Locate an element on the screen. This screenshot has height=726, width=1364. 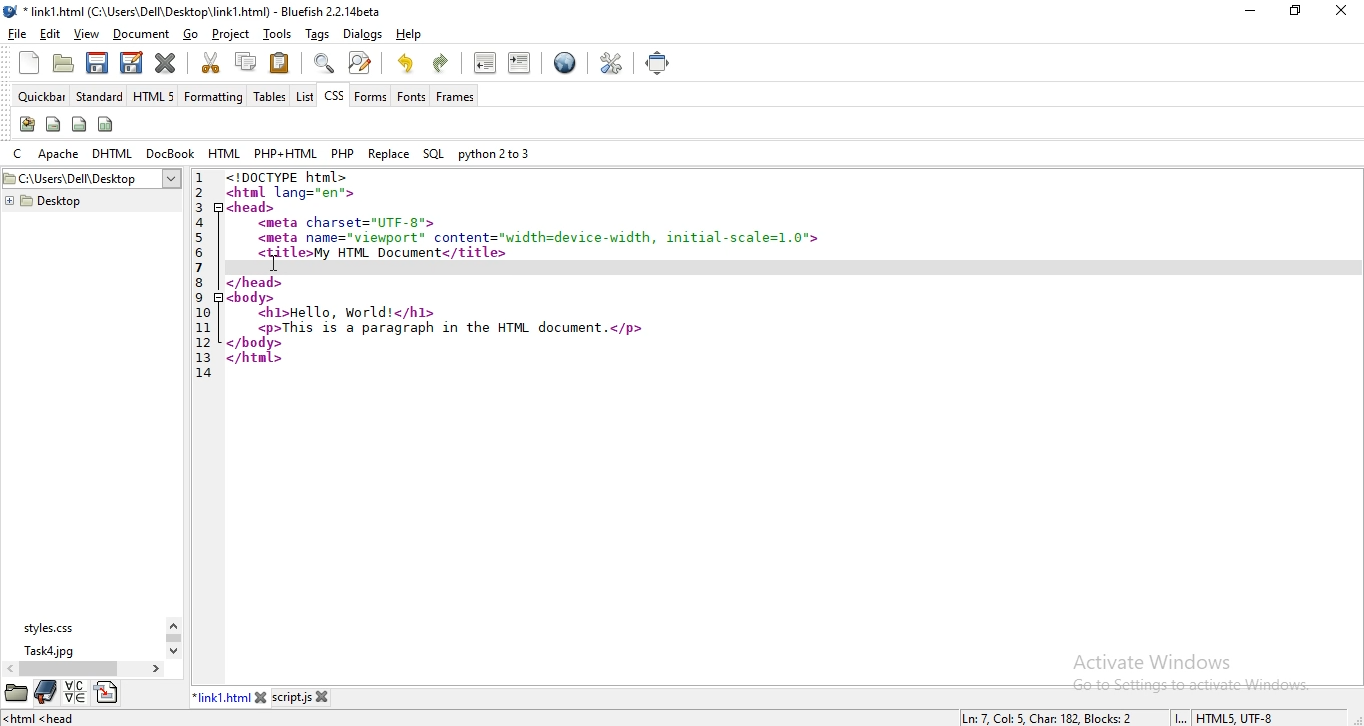
php is located at coordinates (343, 153).